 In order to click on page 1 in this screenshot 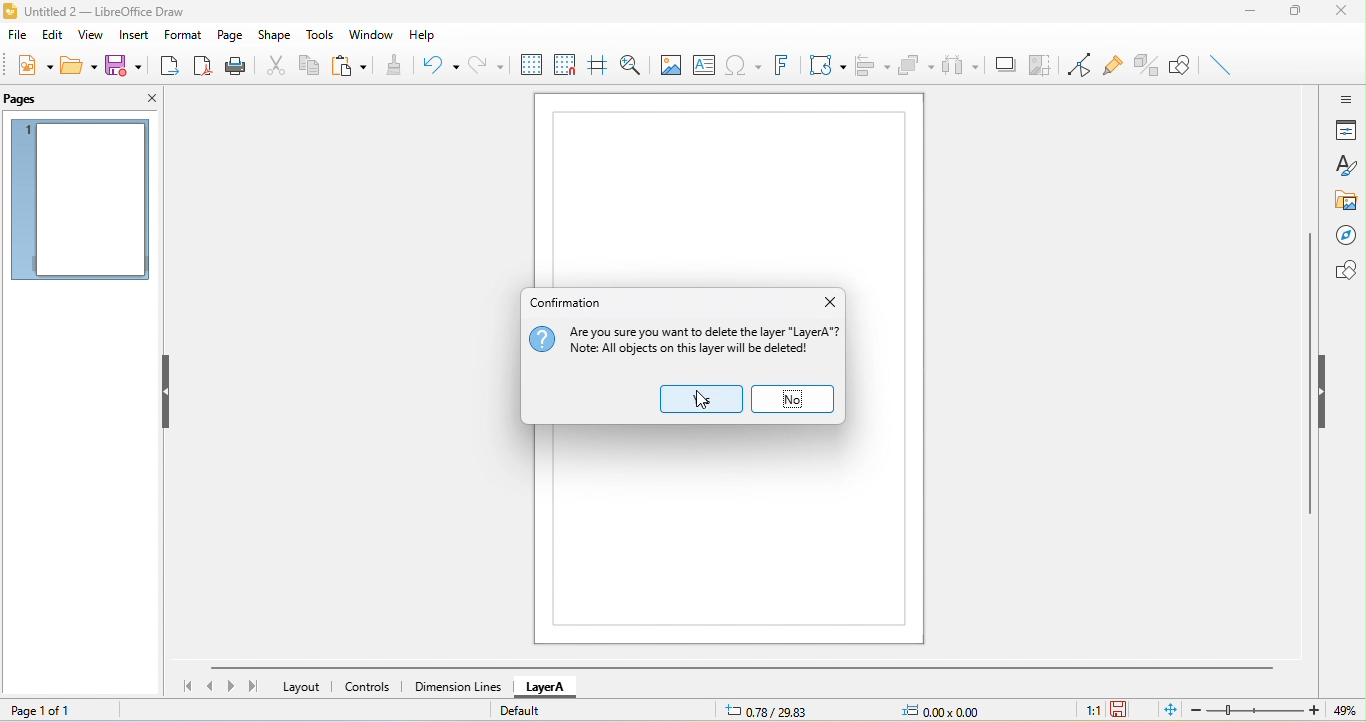, I will do `click(78, 200)`.